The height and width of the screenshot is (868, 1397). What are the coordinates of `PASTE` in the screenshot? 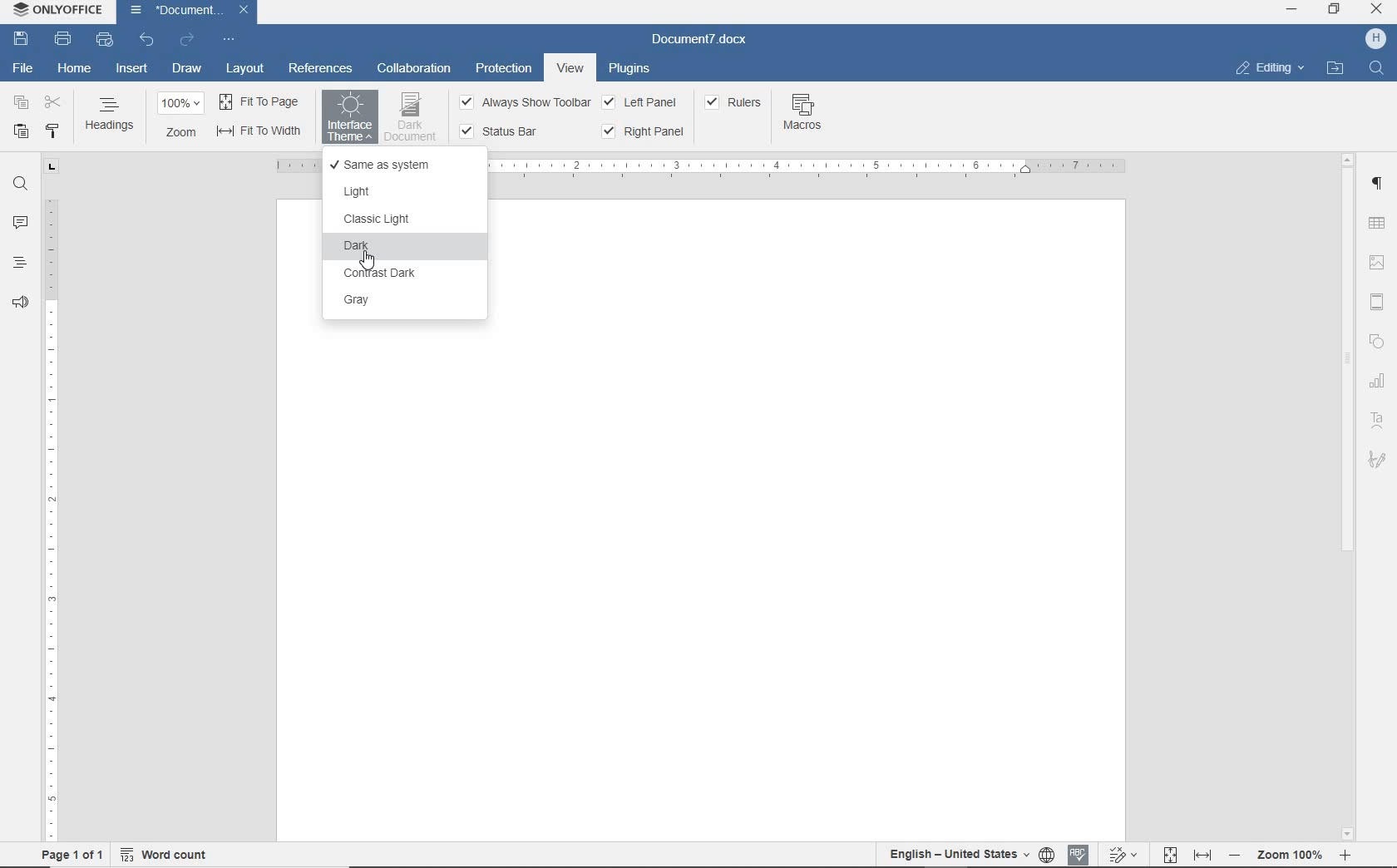 It's located at (20, 131).